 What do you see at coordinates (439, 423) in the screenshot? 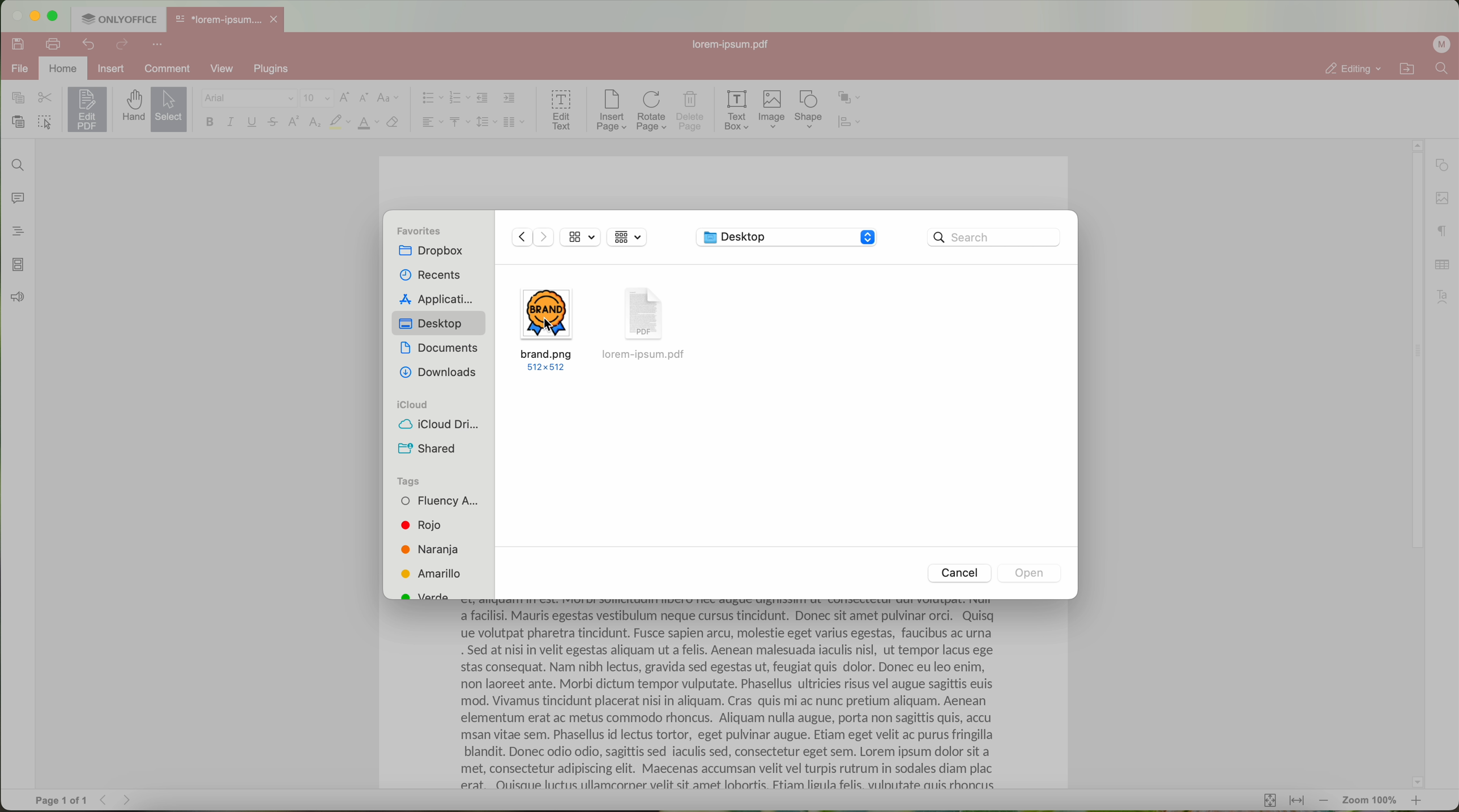
I see `icloud drive` at bounding box center [439, 423].